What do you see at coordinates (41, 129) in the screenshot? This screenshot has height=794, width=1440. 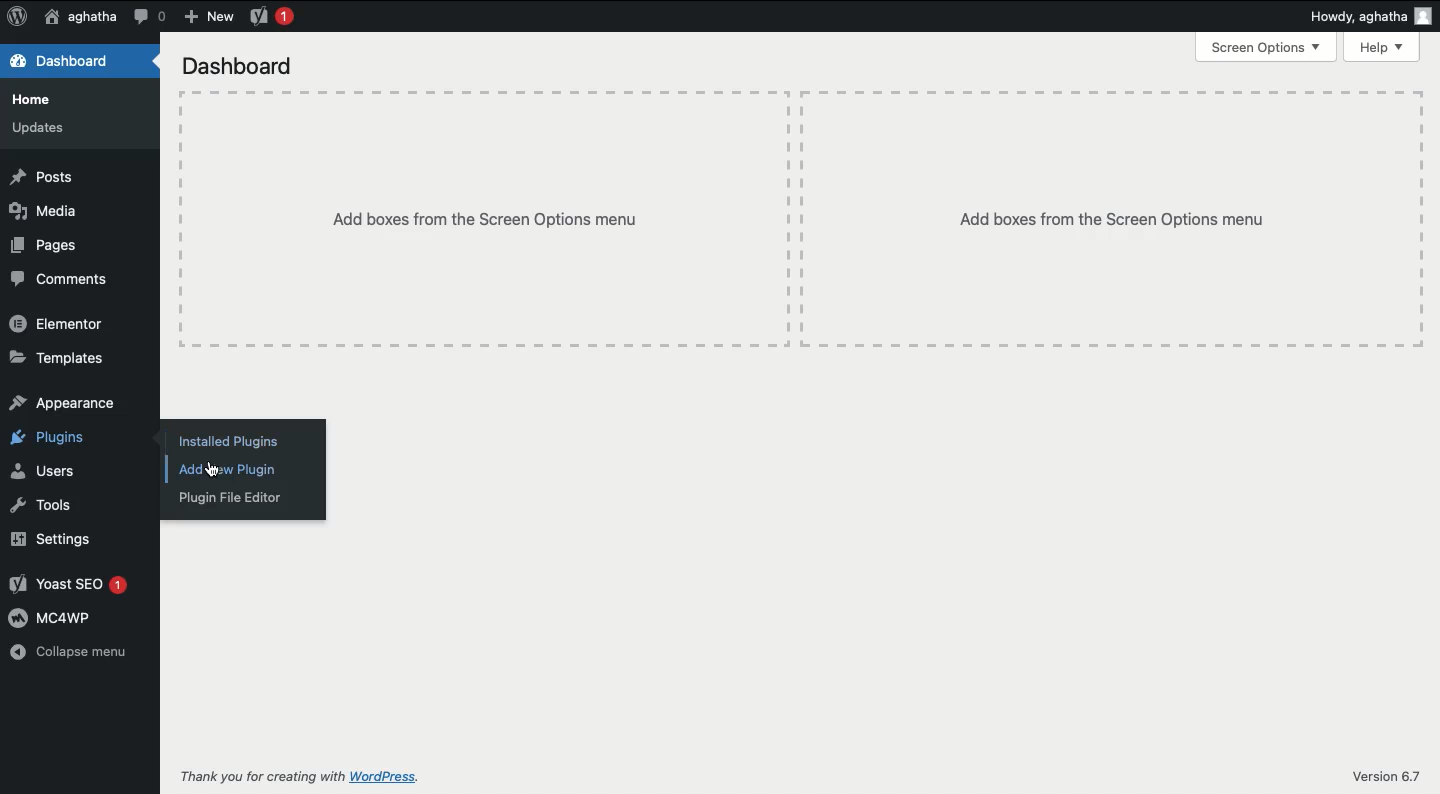 I see `Updates` at bounding box center [41, 129].